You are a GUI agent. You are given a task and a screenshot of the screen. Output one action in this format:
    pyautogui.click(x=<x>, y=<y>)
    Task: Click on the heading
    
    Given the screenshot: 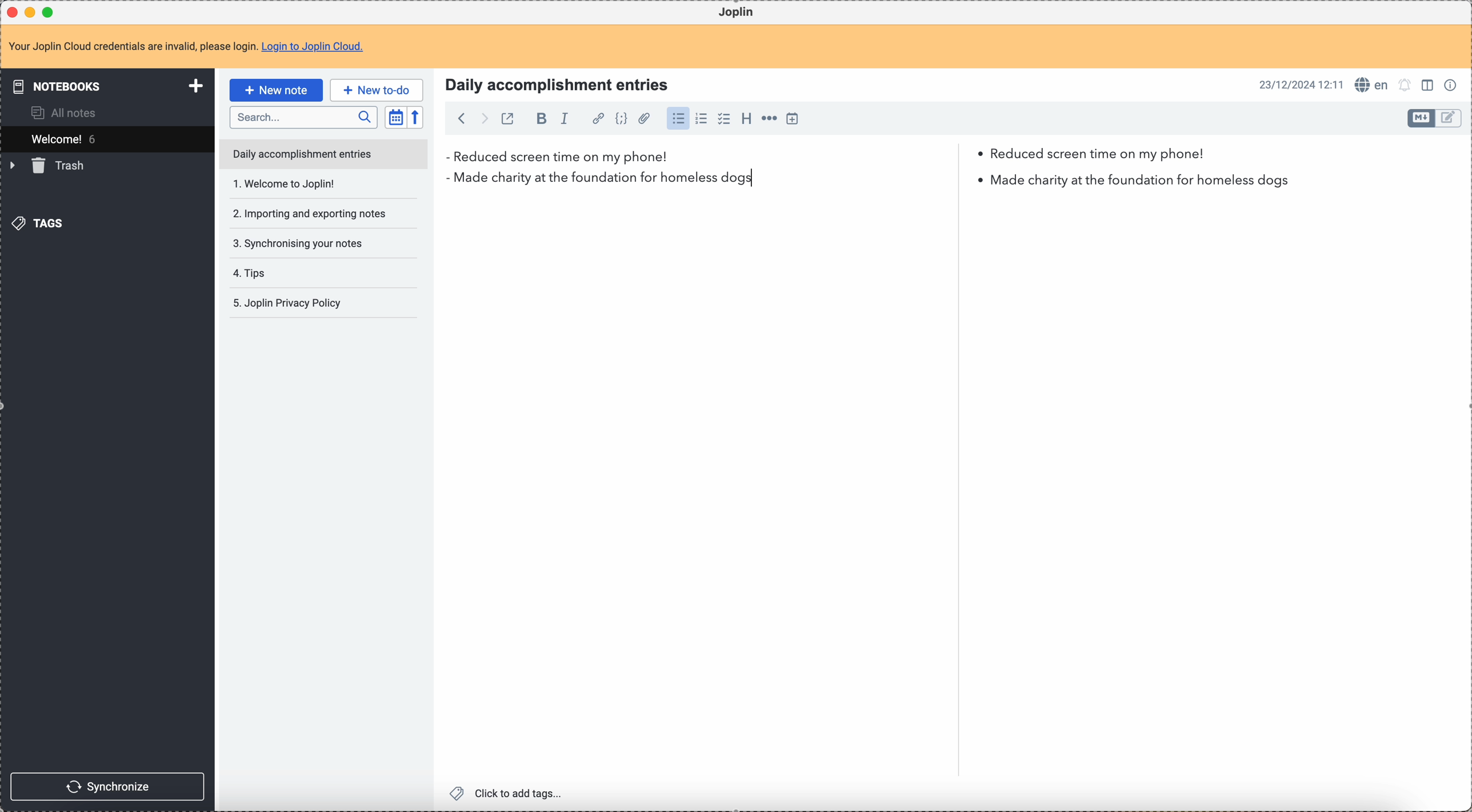 What is the action you would take?
    pyautogui.click(x=746, y=119)
    